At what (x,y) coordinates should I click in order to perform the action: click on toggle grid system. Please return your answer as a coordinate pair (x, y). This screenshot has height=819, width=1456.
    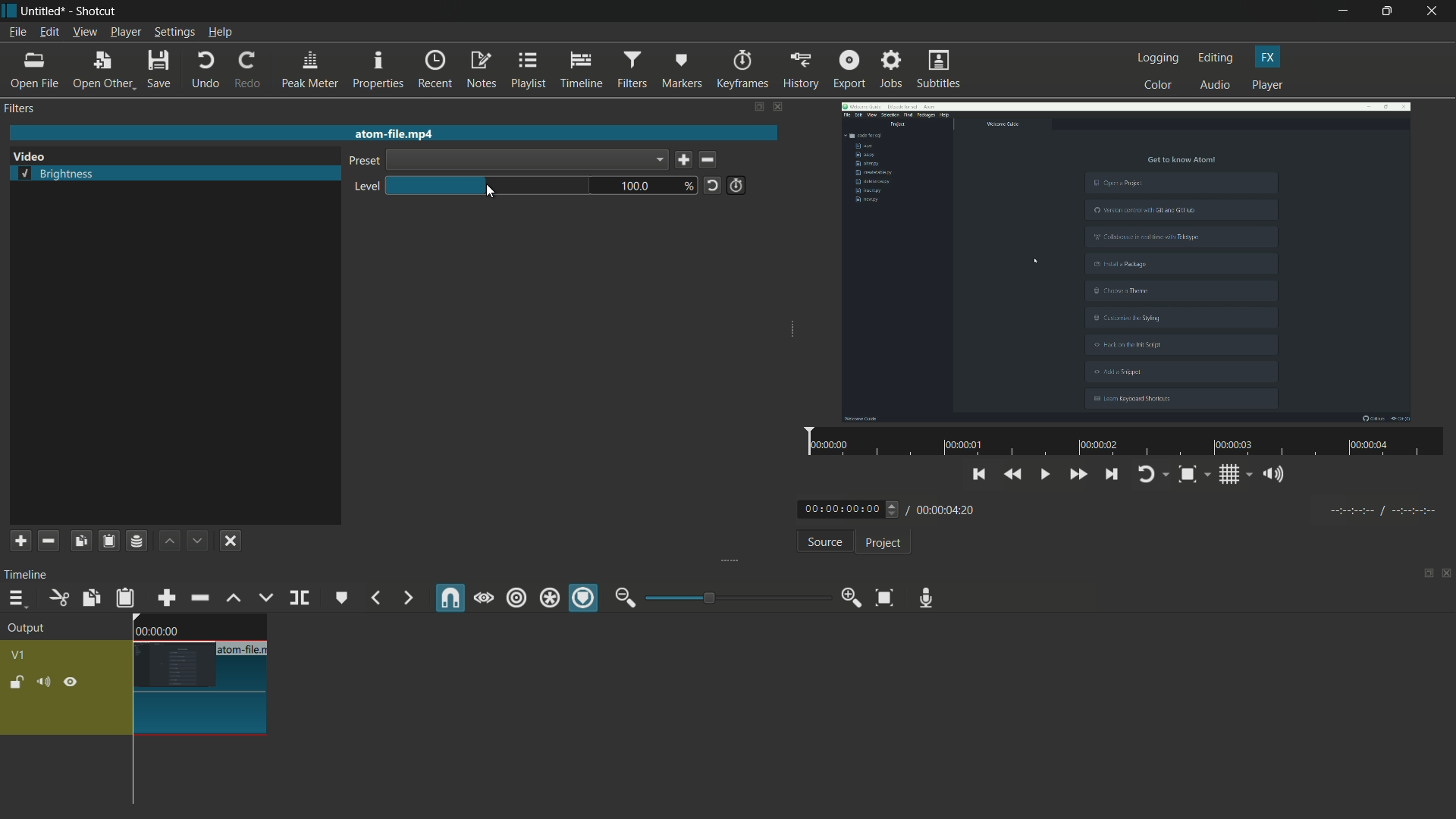
    Looking at the image, I should click on (1237, 477).